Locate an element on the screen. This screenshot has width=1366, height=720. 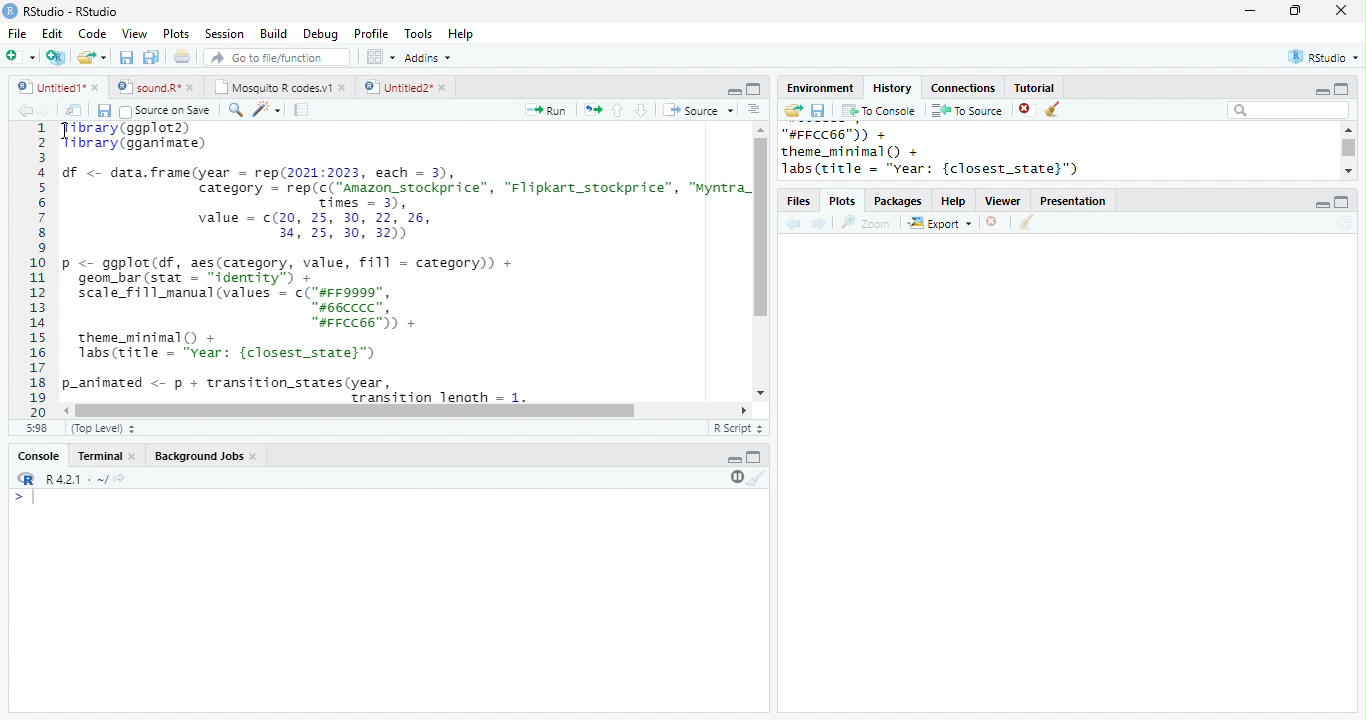
back is located at coordinates (793, 223).